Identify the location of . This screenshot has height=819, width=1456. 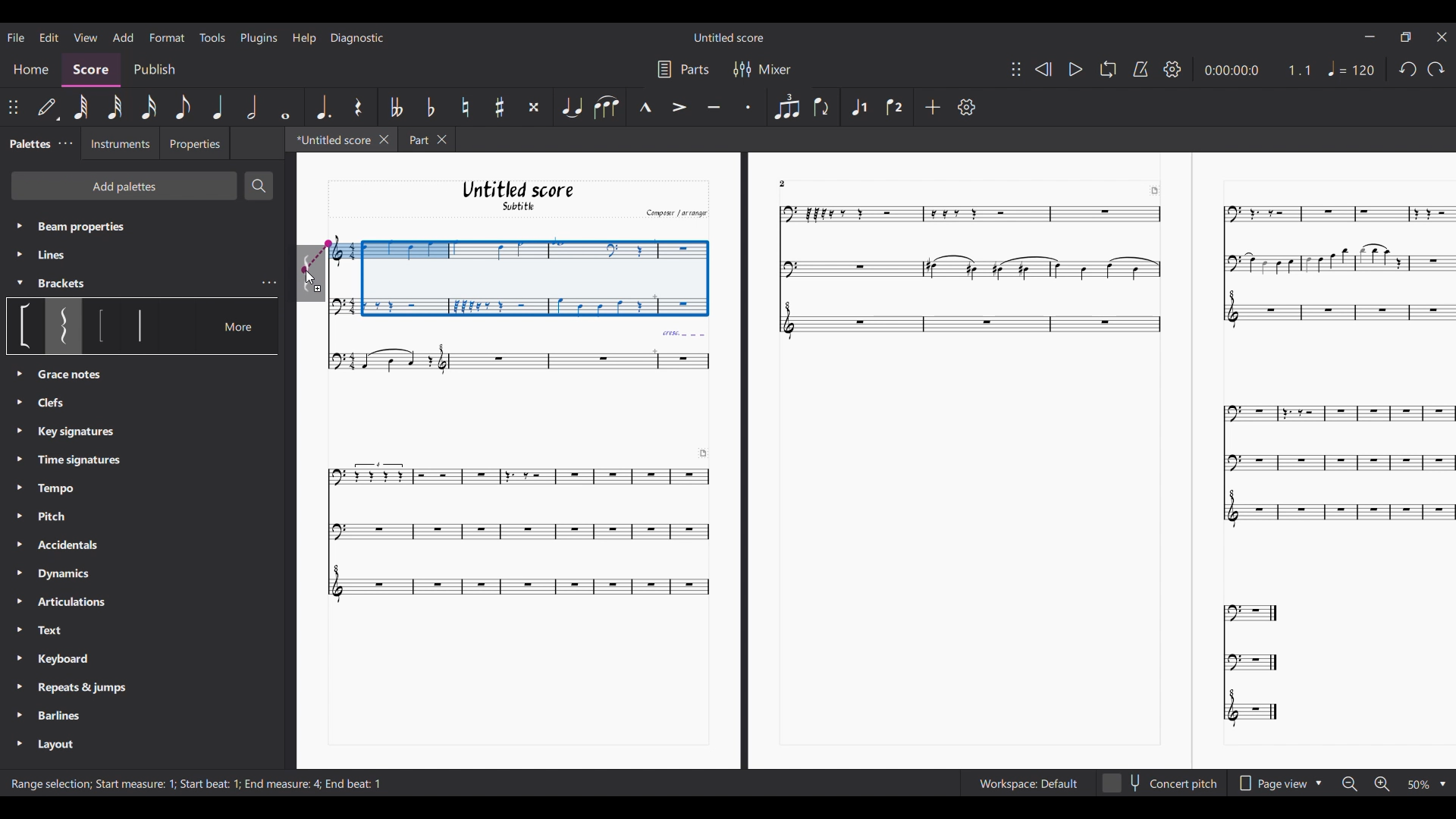
(20, 659).